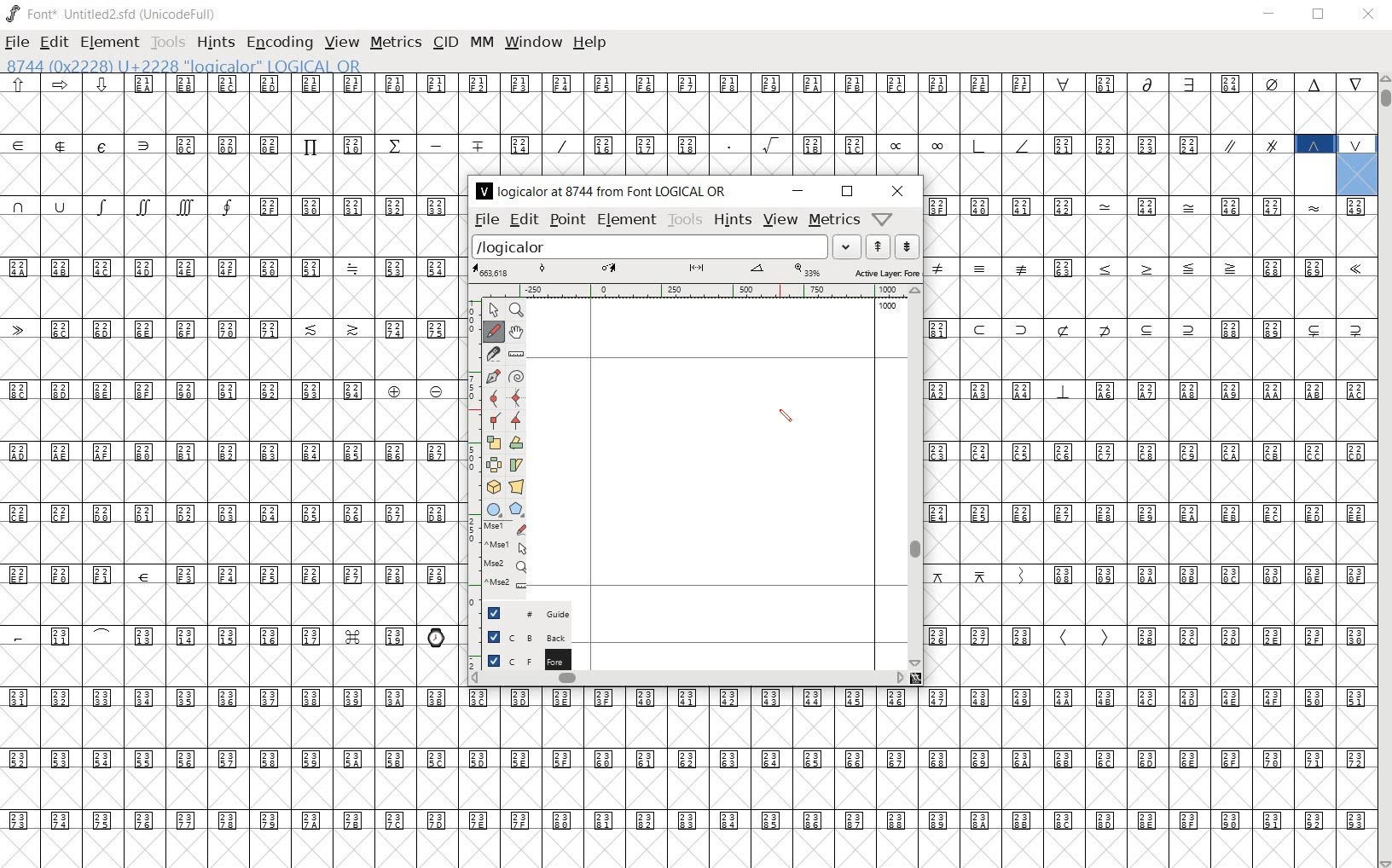  What do you see at coordinates (1354, 166) in the screenshot?
I see `8744 (0x2228) U+2228 "logicalor" LOGICAL OR` at bounding box center [1354, 166].